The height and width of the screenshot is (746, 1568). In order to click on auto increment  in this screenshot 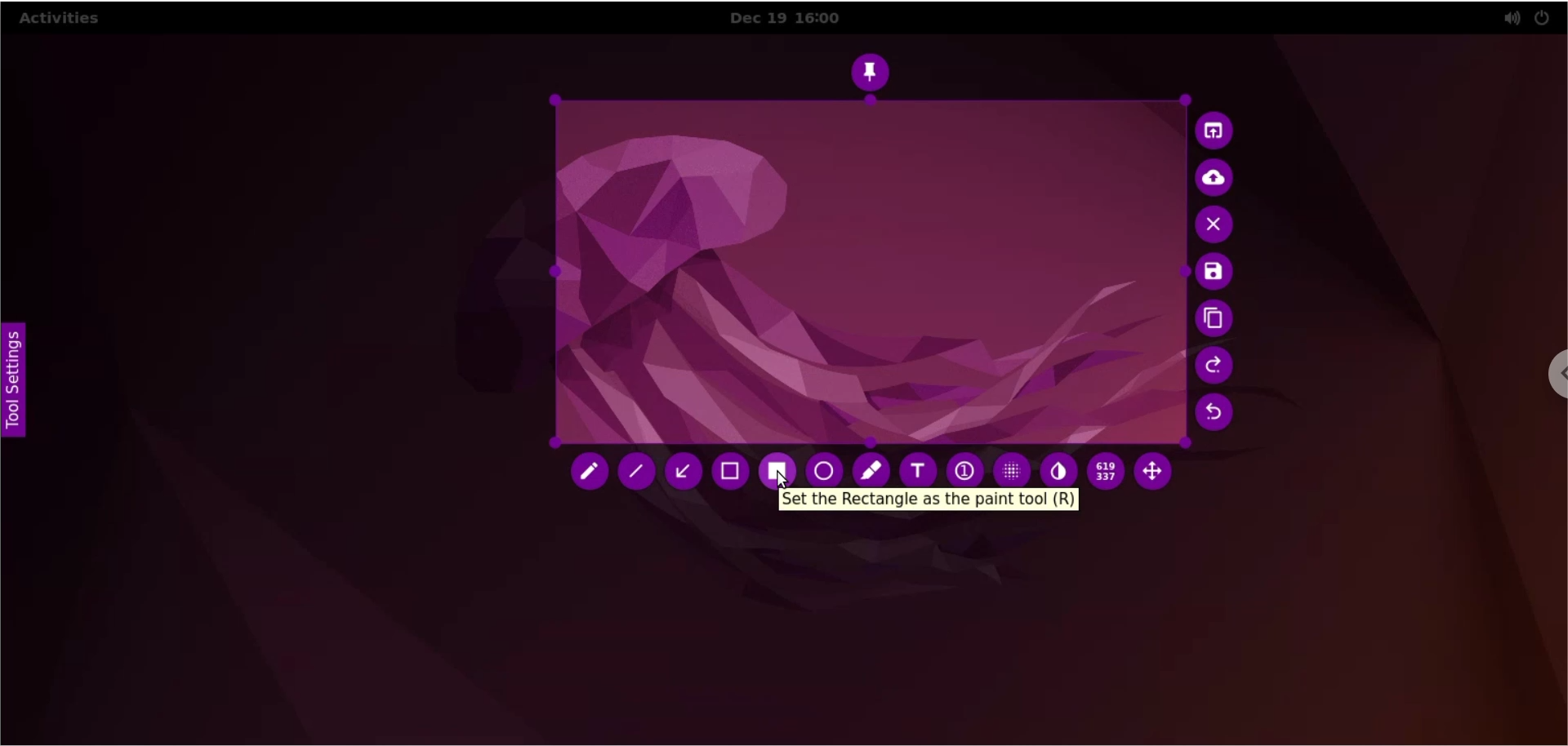, I will do `click(964, 468)`.